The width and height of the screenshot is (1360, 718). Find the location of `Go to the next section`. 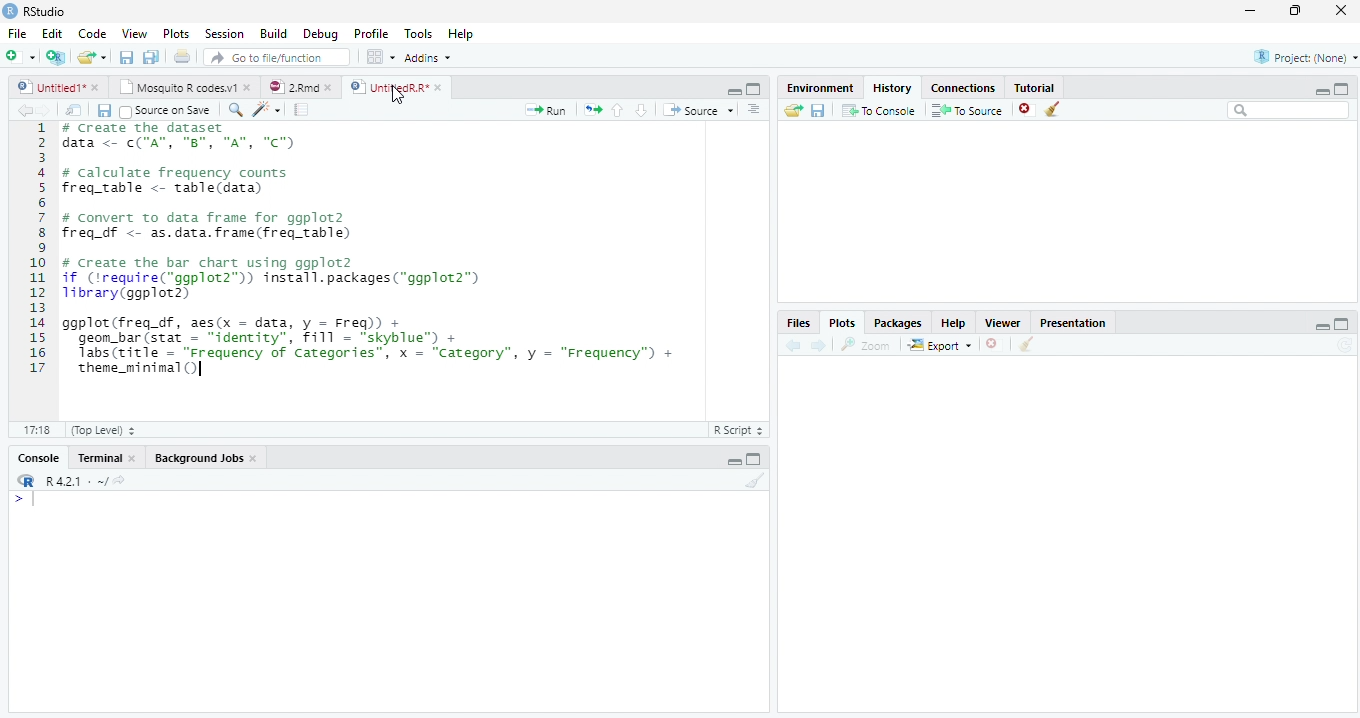

Go to the next section is located at coordinates (641, 110).